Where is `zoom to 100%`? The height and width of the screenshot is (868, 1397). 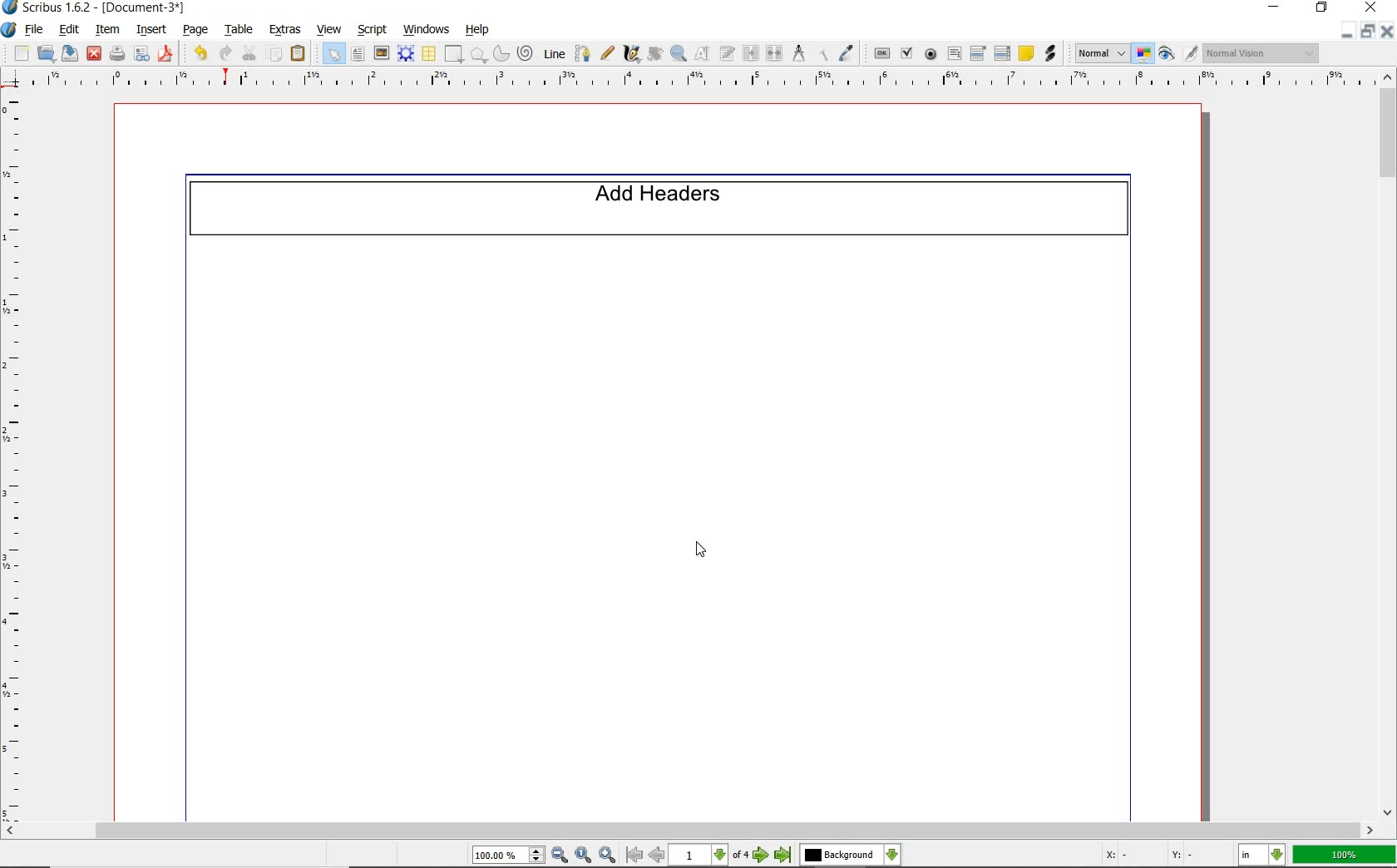
zoom to 100% is located at coordinates (585, 855).